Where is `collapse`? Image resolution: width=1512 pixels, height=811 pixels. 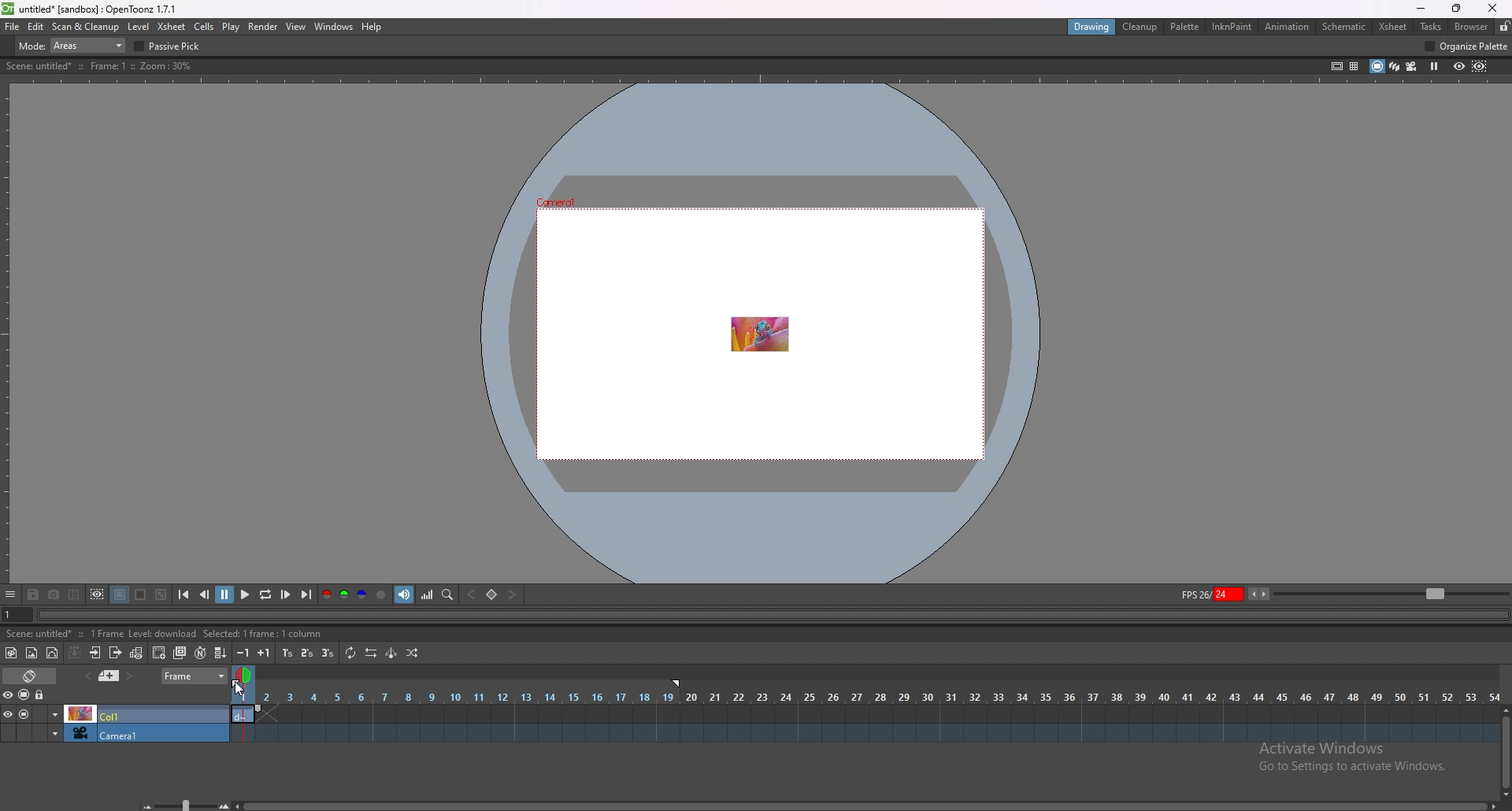
collapse is located at coordinates (75, 653).